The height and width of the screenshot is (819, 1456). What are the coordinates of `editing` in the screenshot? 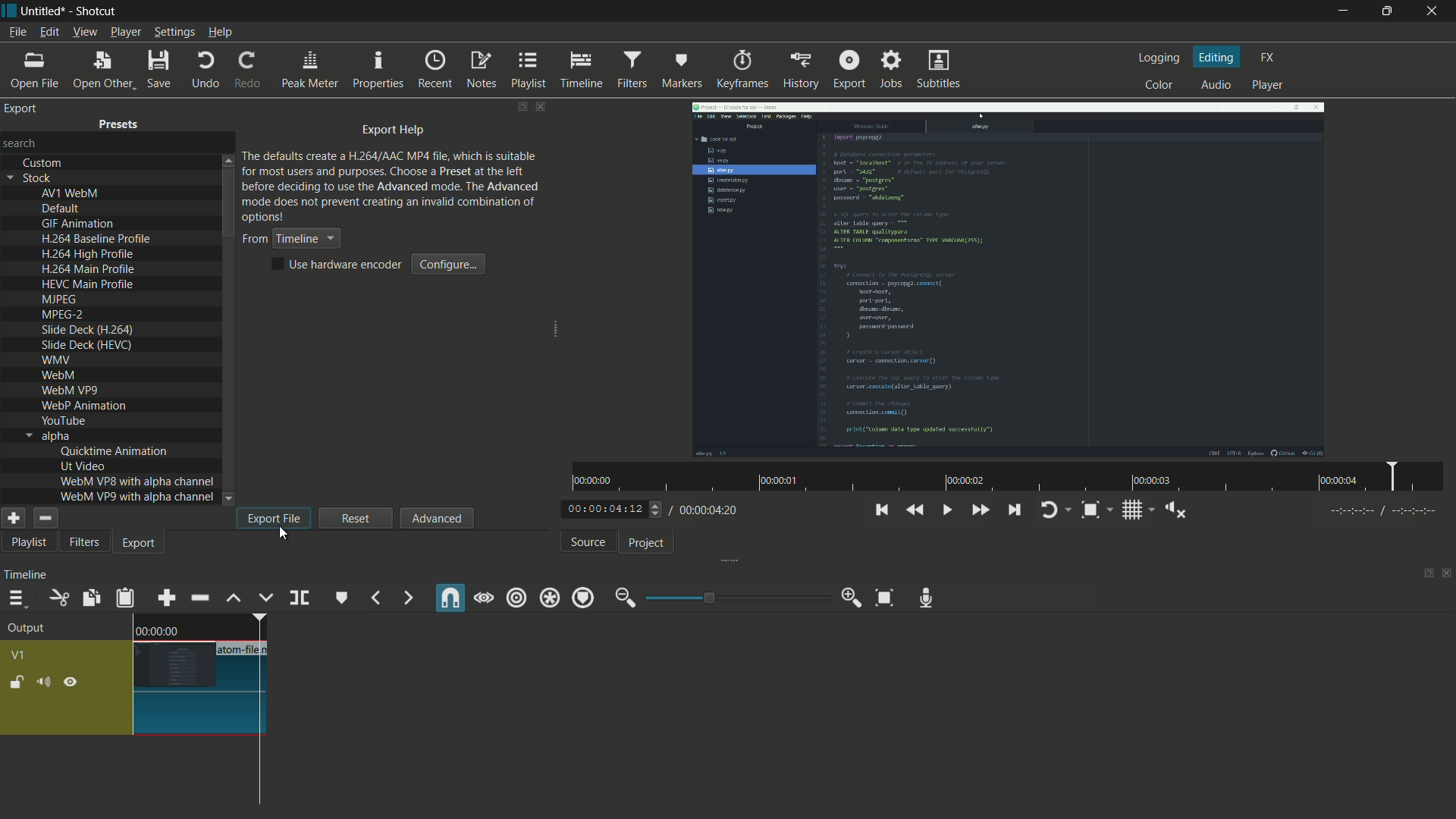 It's located at (1218, 58).